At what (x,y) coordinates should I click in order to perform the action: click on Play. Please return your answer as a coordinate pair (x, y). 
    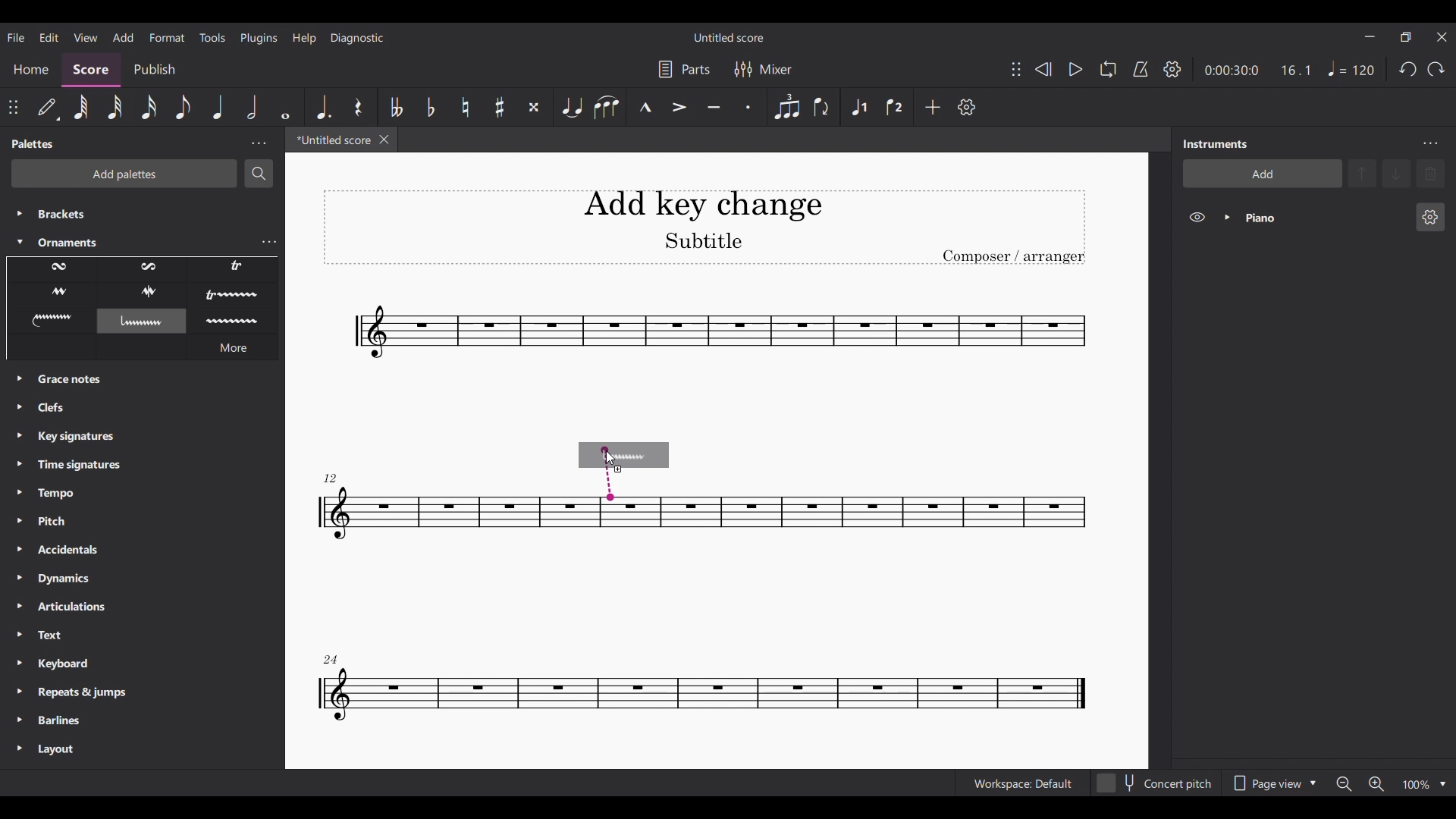
    Looking at the image, I should click on (1075, 70).